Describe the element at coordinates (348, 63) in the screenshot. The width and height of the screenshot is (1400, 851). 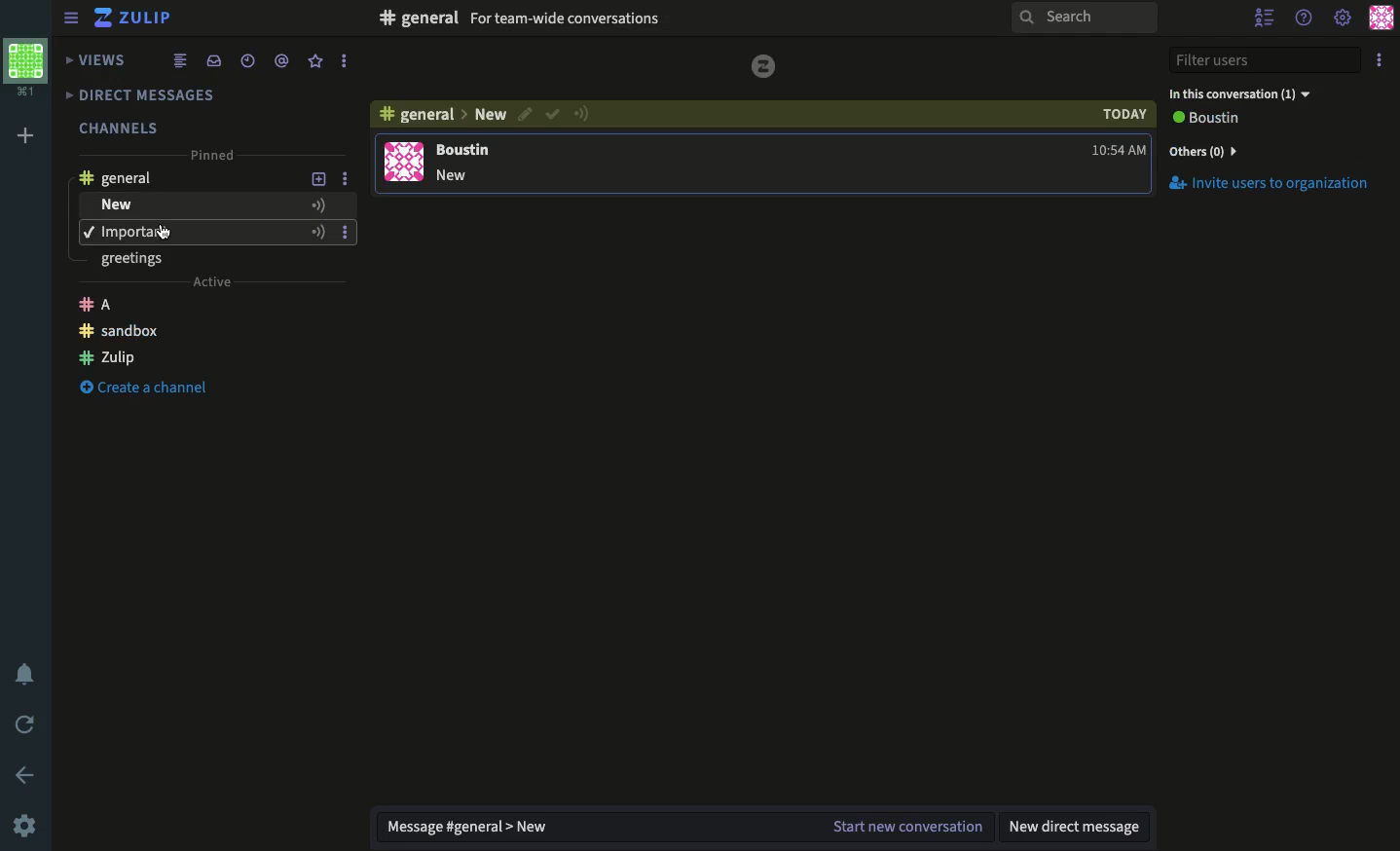
I see `More Options` at that location.